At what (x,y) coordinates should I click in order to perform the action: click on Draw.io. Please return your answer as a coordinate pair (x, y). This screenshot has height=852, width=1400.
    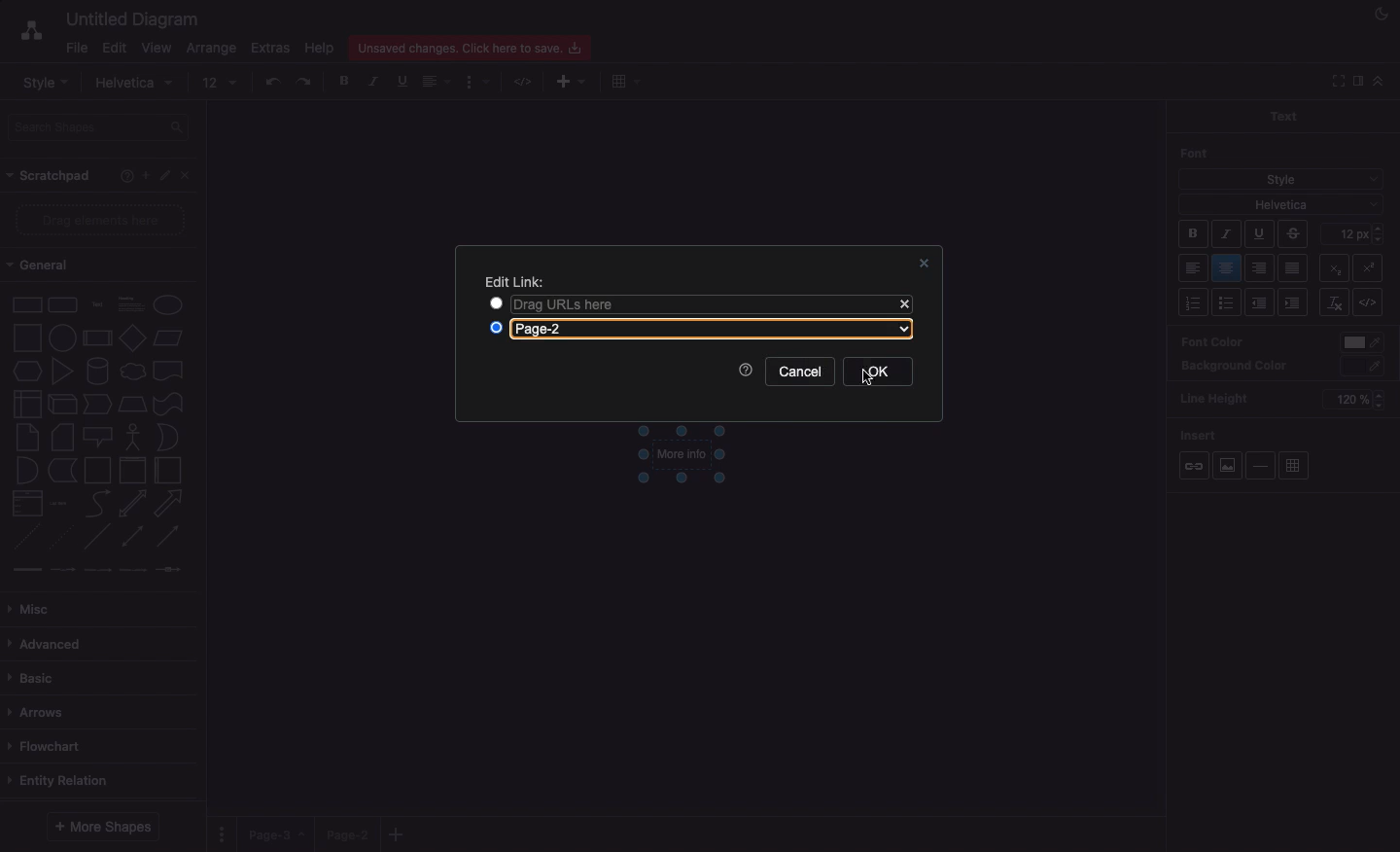
    Looking at the image, I should click on (21, 33).